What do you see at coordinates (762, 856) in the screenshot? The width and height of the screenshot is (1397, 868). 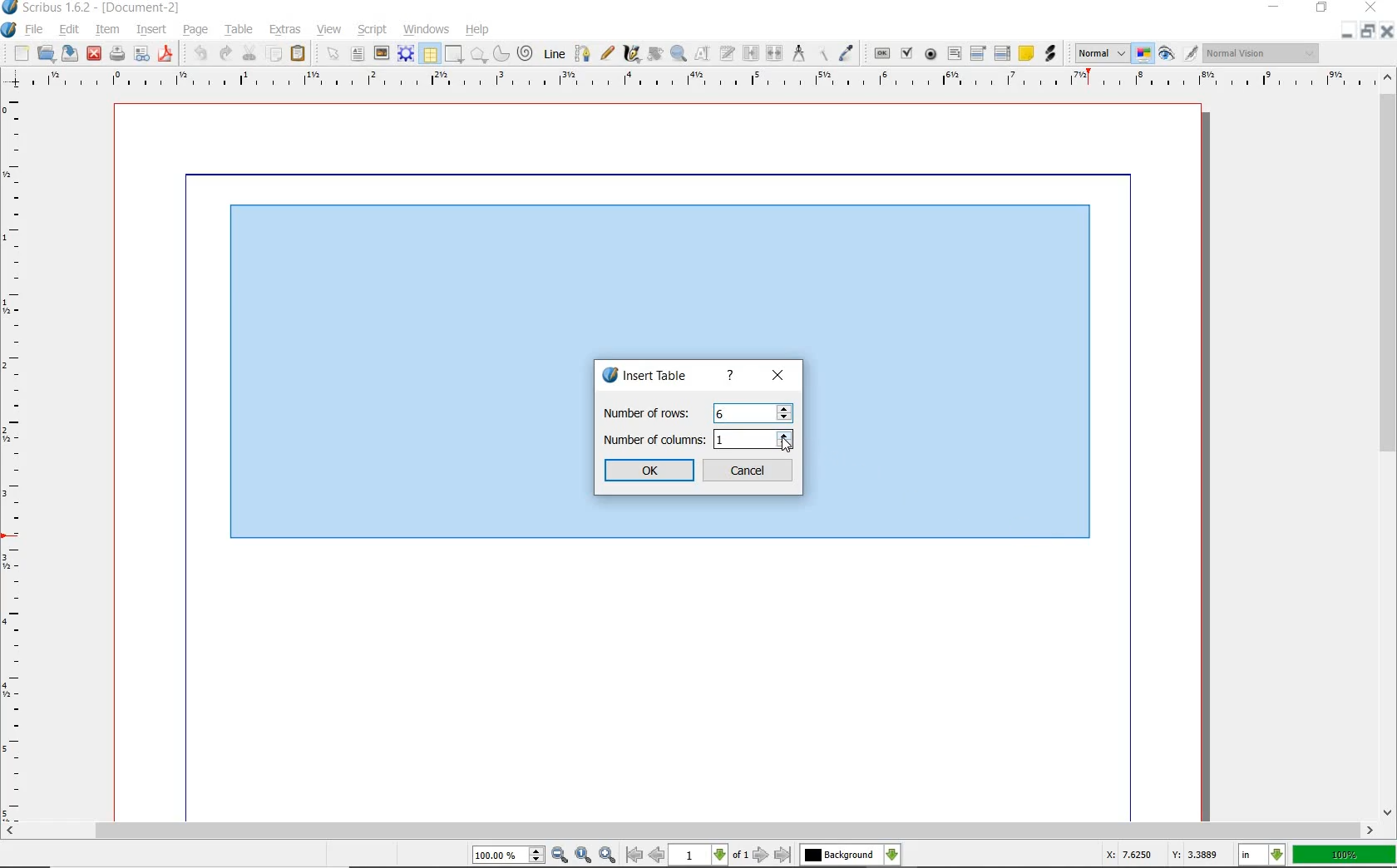 I see `go to next page` at bounding box center [762, 856].